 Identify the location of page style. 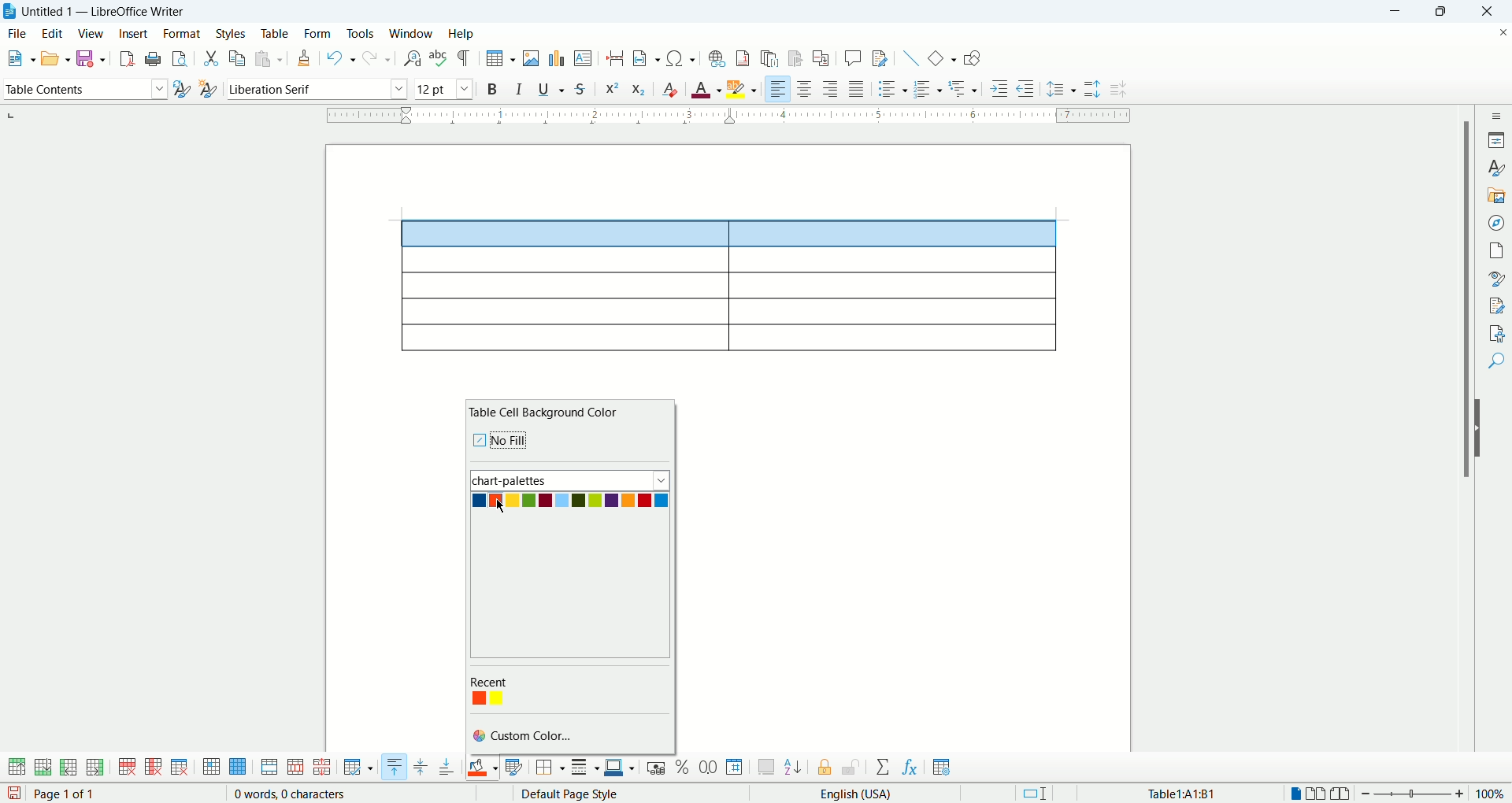
(611, 794).